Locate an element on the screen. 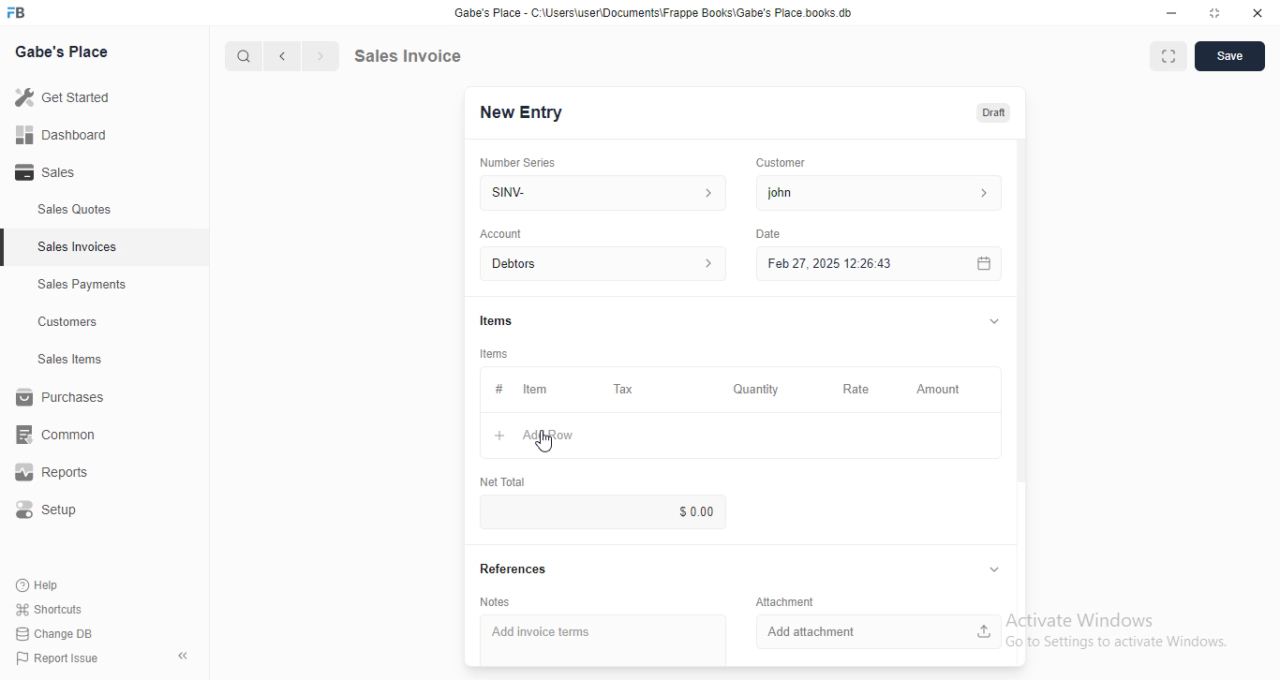 The image size is (1280, 680). Upload is located at coordinates (983, 631).